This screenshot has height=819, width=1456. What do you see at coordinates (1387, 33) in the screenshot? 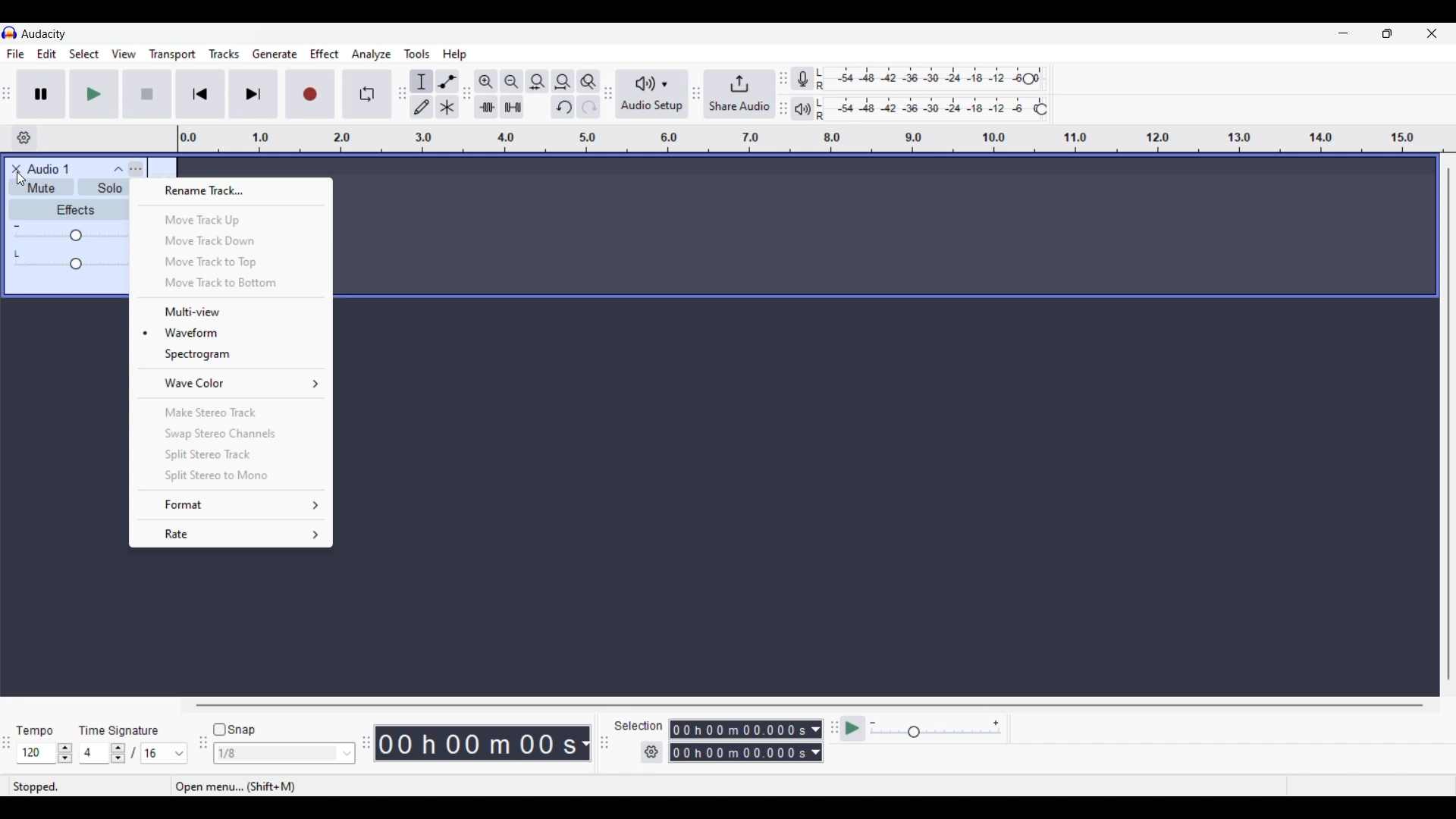
I see `Show interface in a smaller tab` at bounding box center [1387, 33].